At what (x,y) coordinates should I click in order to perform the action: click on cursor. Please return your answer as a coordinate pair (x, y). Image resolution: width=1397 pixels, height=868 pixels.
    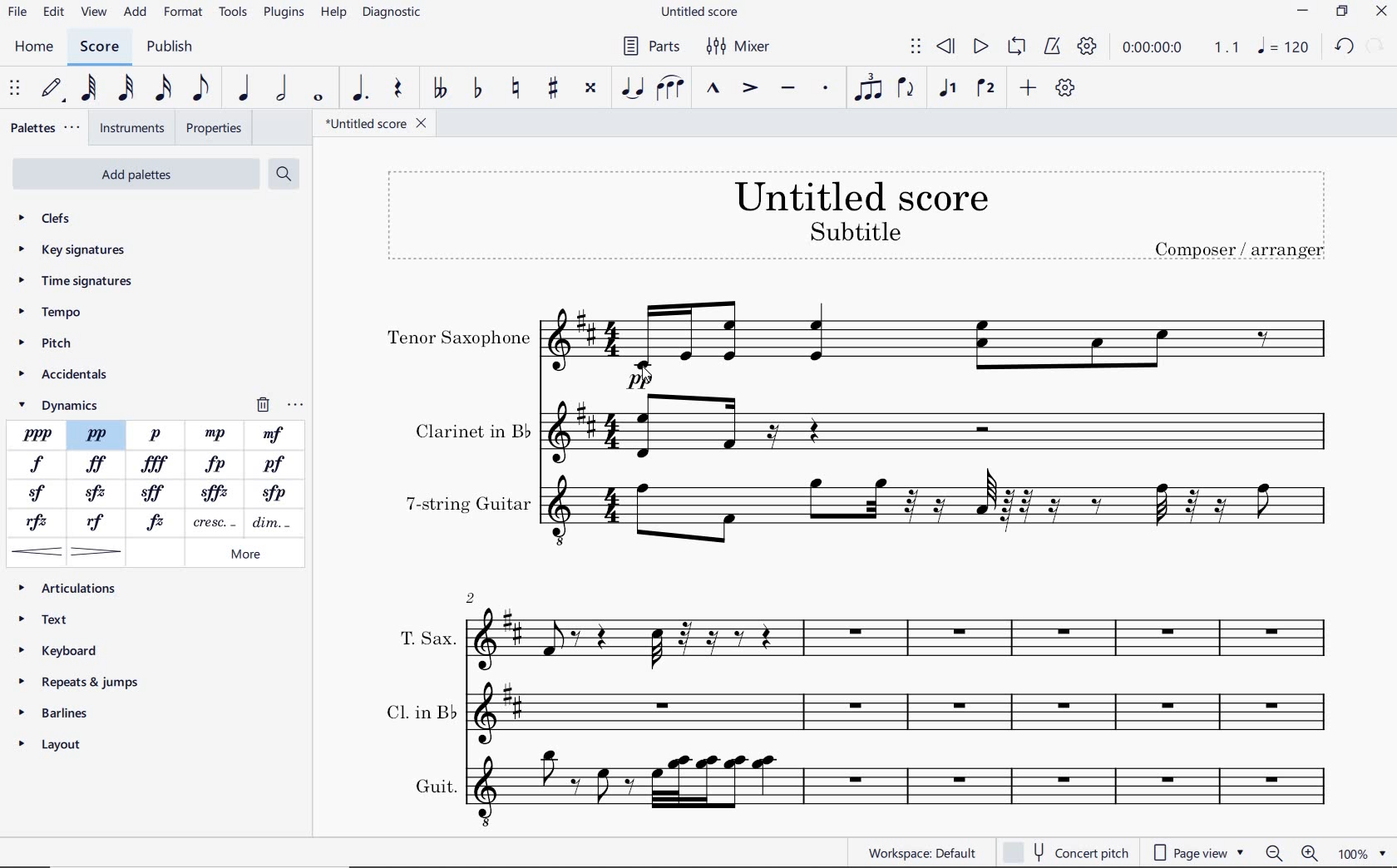
    Looking at the image, I should click on (649, 374).